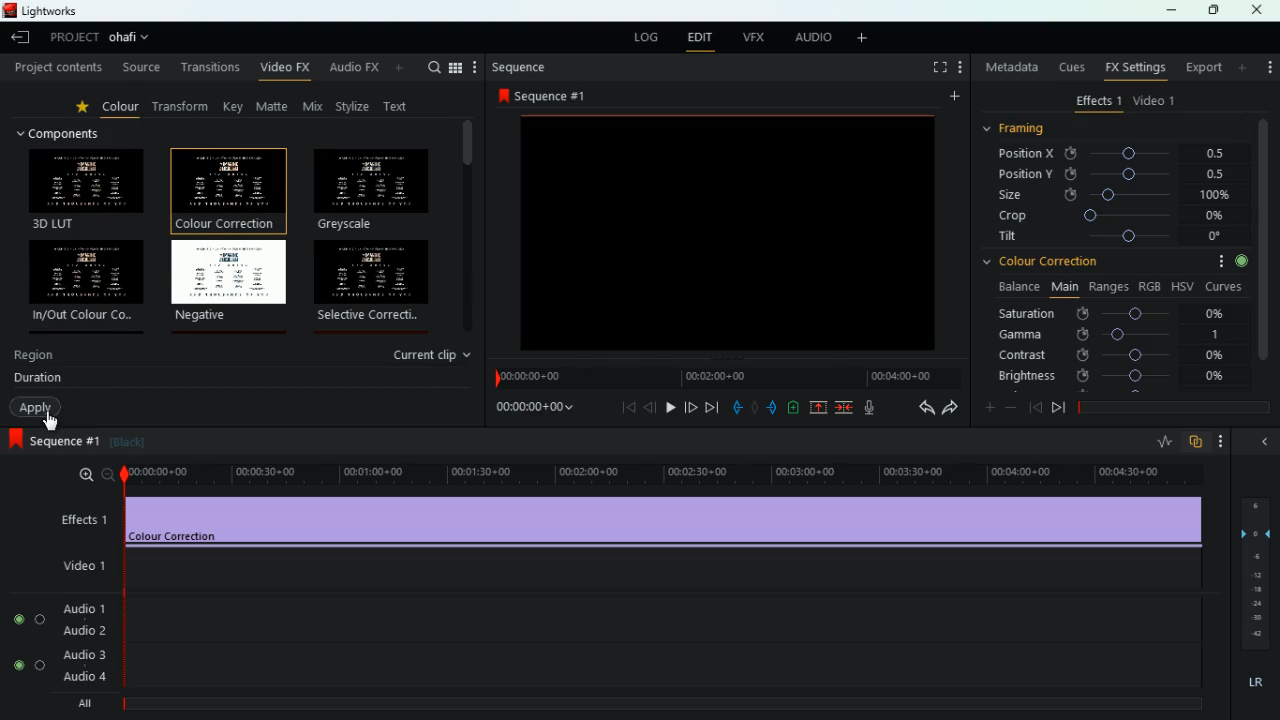  What do you see at coordinates (27, 627) in the screenshot?
I see `radio button` at bounding box center [27, 627].